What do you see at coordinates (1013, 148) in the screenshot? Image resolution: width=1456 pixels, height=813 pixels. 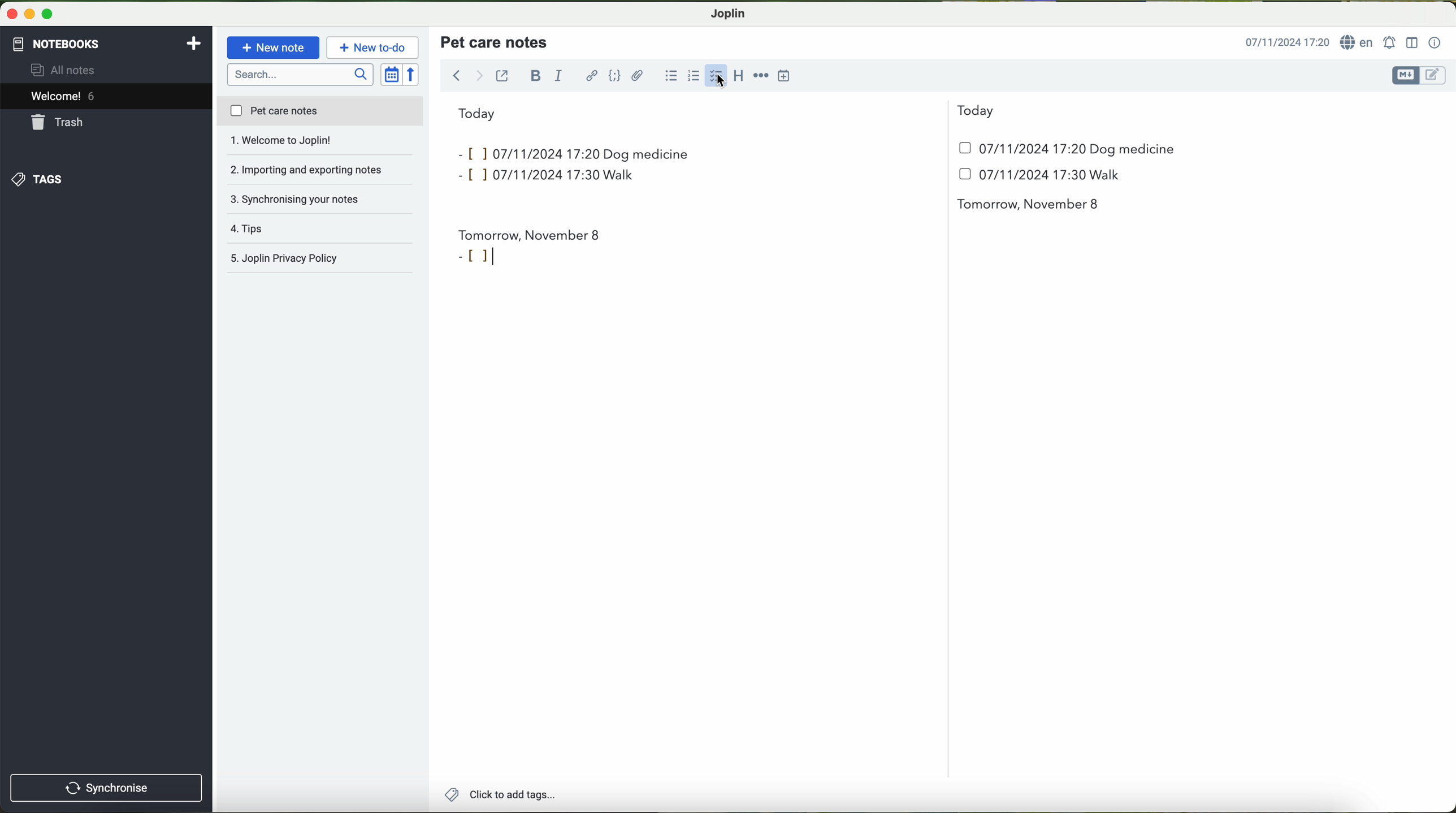 I see `date and hour` at bounding box center [1013, 148].